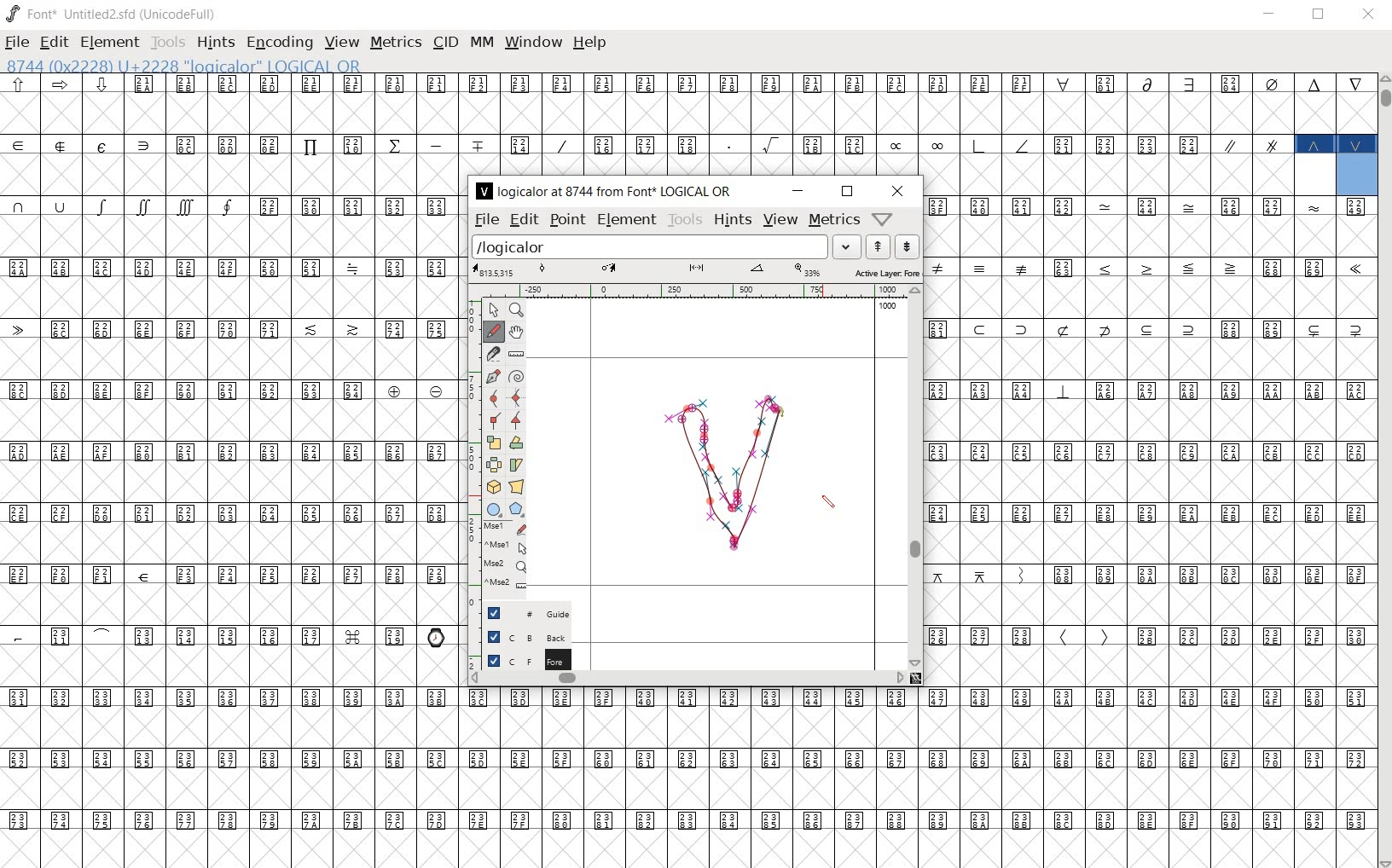 The height and width of the screenshot is (868, 1392). I want to click on hints, so click(731, 219).